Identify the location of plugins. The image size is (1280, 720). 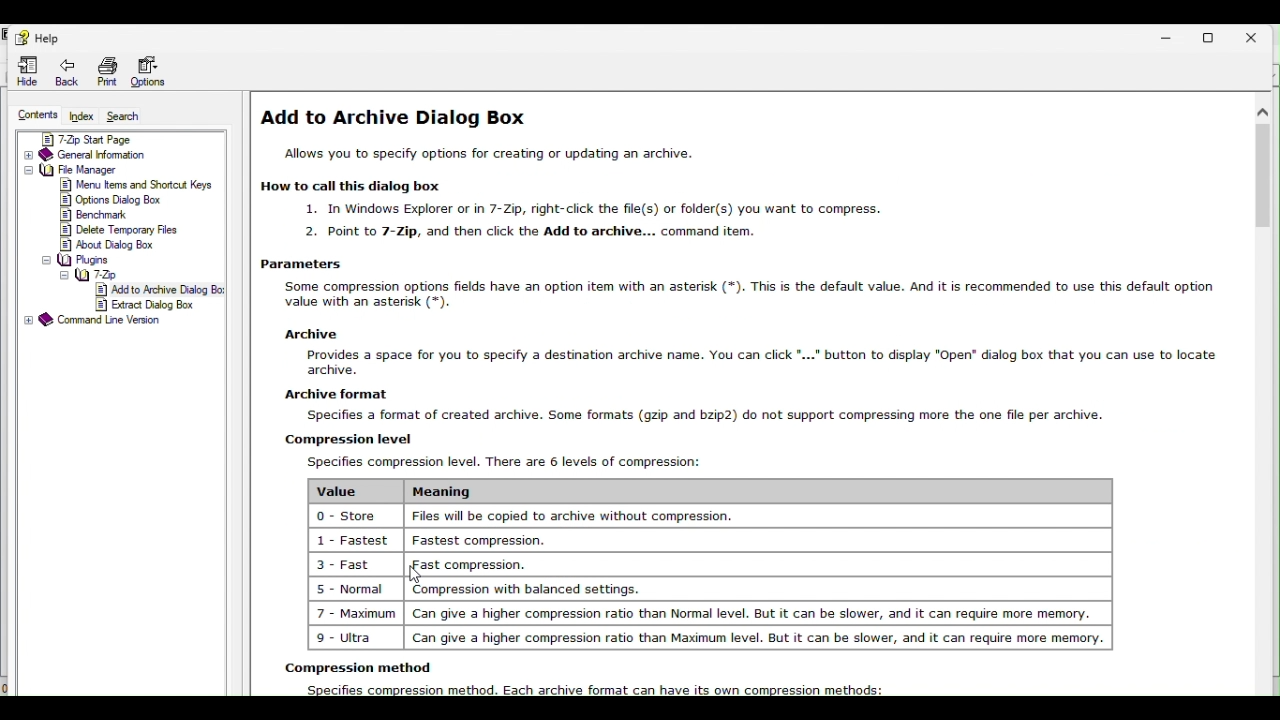
(76, 261).